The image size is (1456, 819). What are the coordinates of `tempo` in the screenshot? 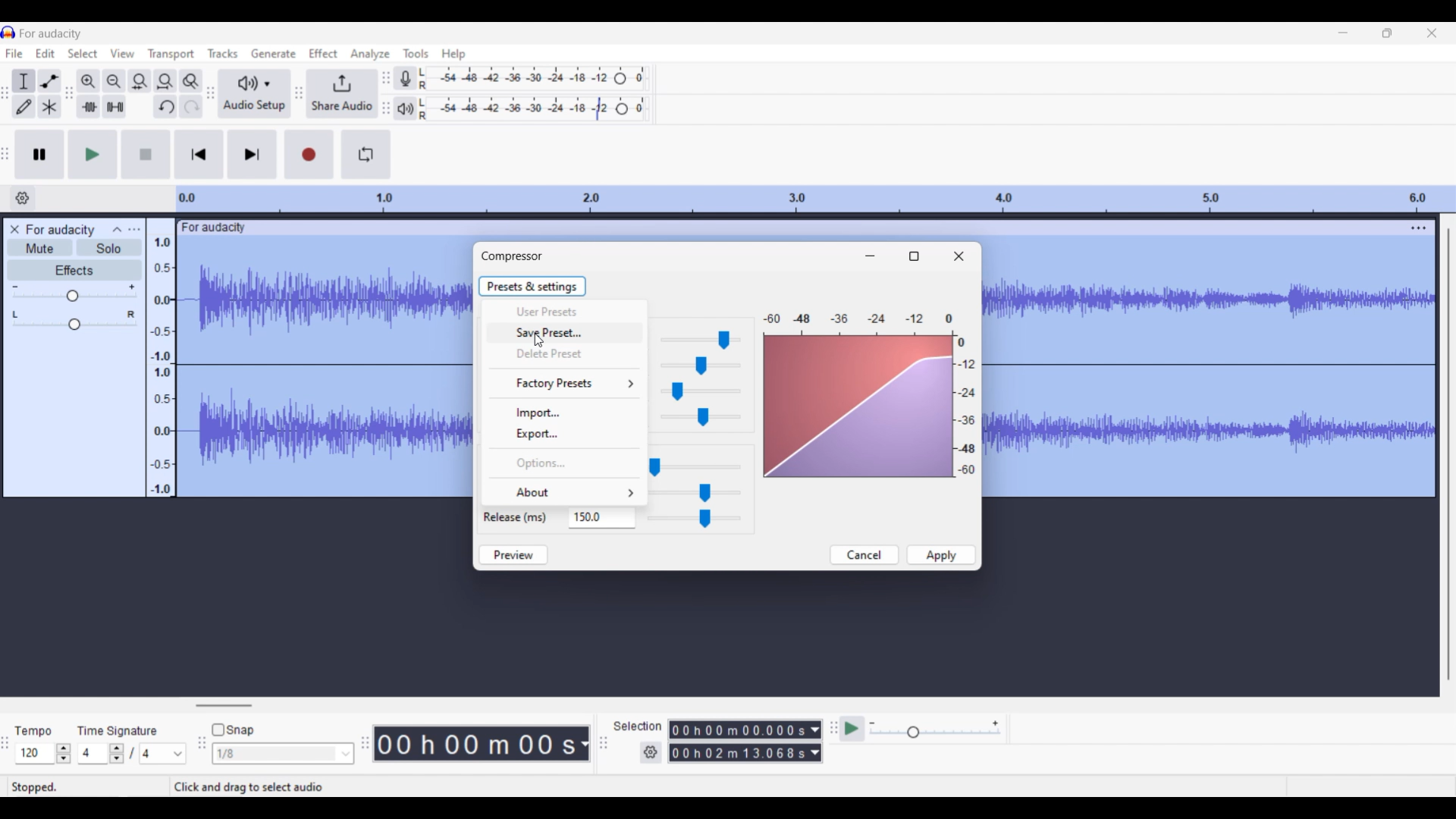 It's located at (33, 731).